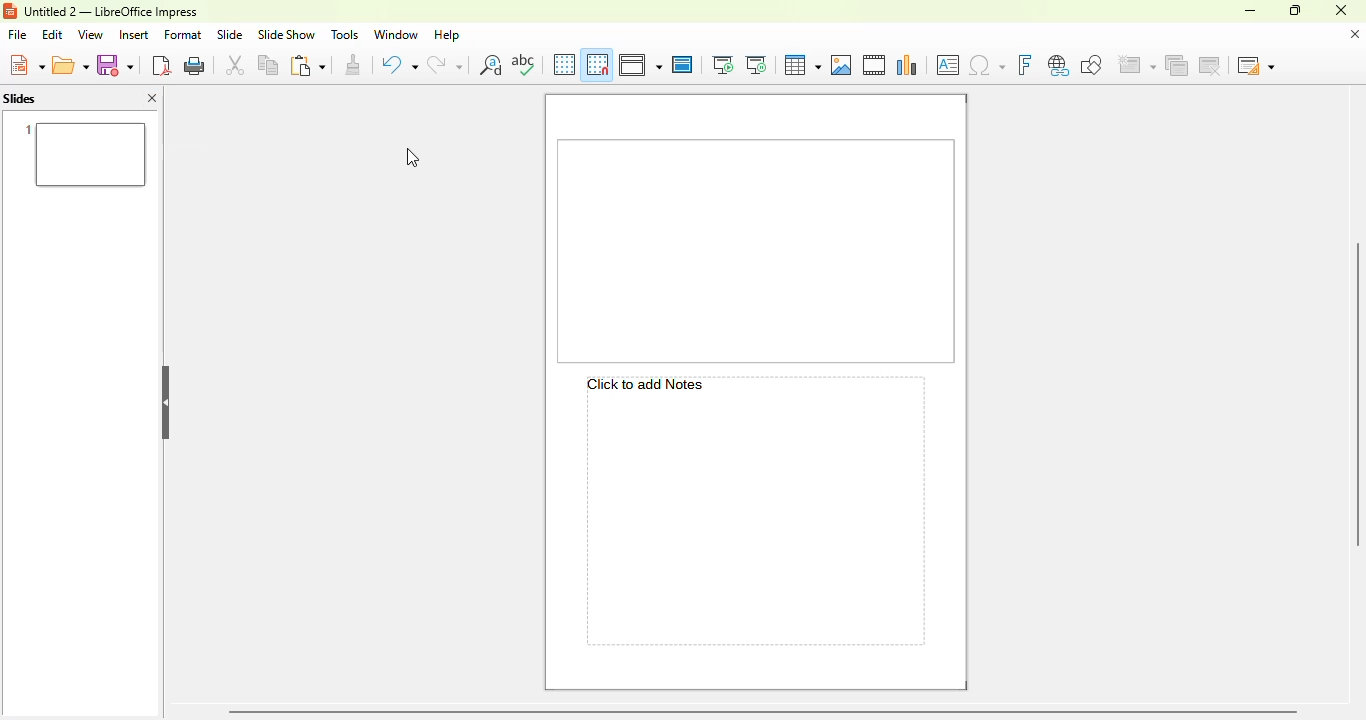  What do you see at coordinates (398, 65) in the screenshot?
I see `undo` at bounding box center [398, 65].